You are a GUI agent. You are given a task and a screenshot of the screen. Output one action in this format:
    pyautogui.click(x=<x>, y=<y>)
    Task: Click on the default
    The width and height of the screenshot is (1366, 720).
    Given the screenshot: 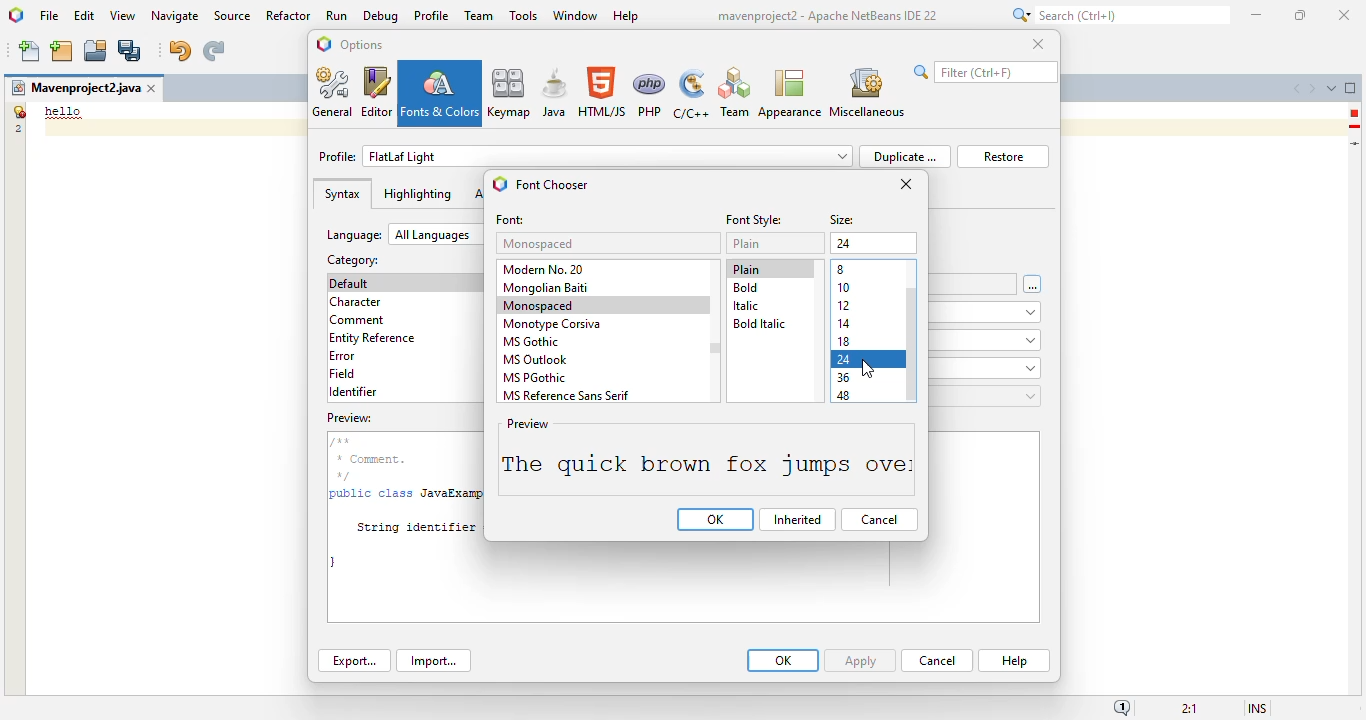 What is the action you would take?
    pyautogui.click(x=350, y=283)
    